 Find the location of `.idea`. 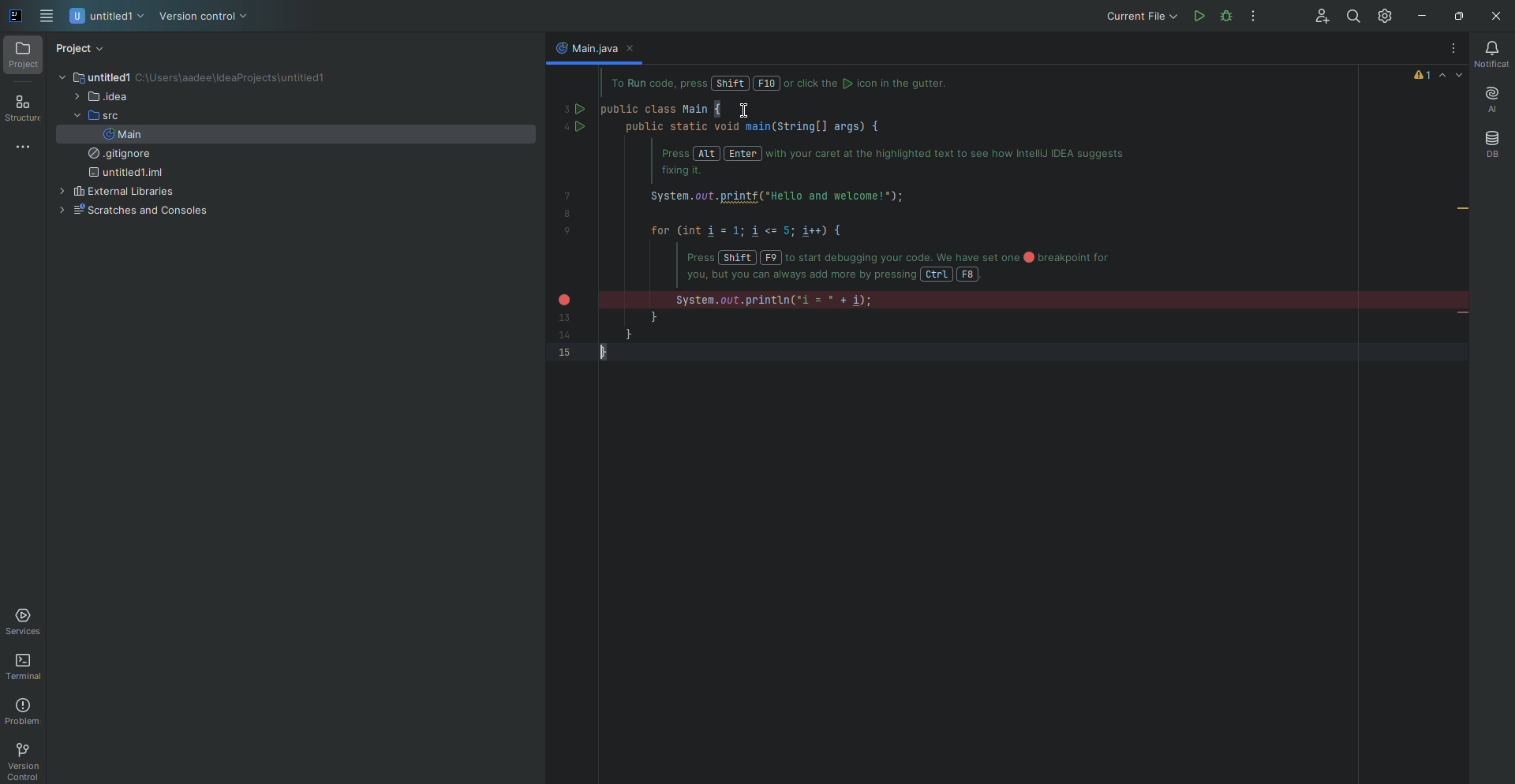

.idea is located at coordinates (100, 98).